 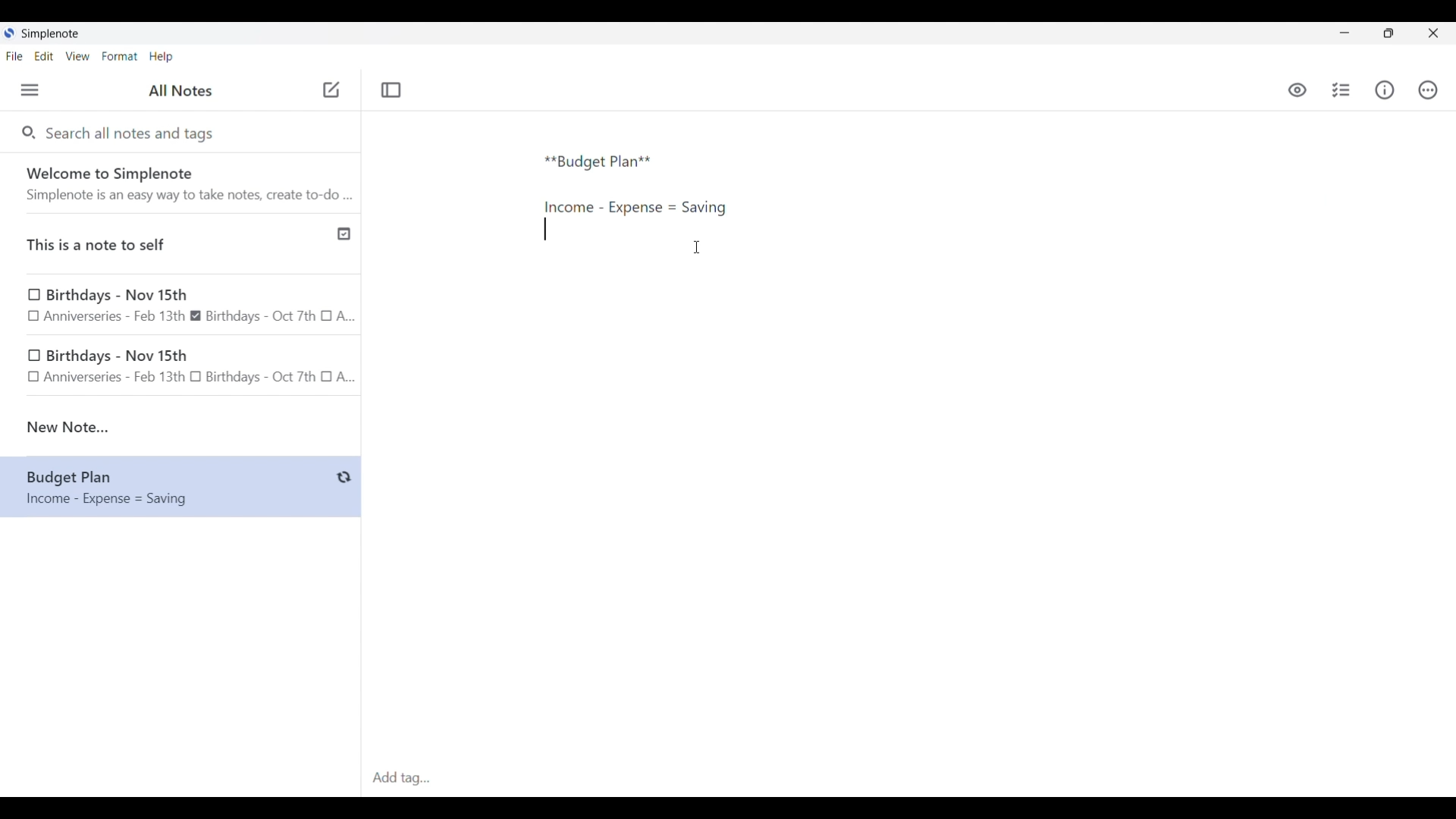 I want to click on Minimize, so click(x=1345, y=33).